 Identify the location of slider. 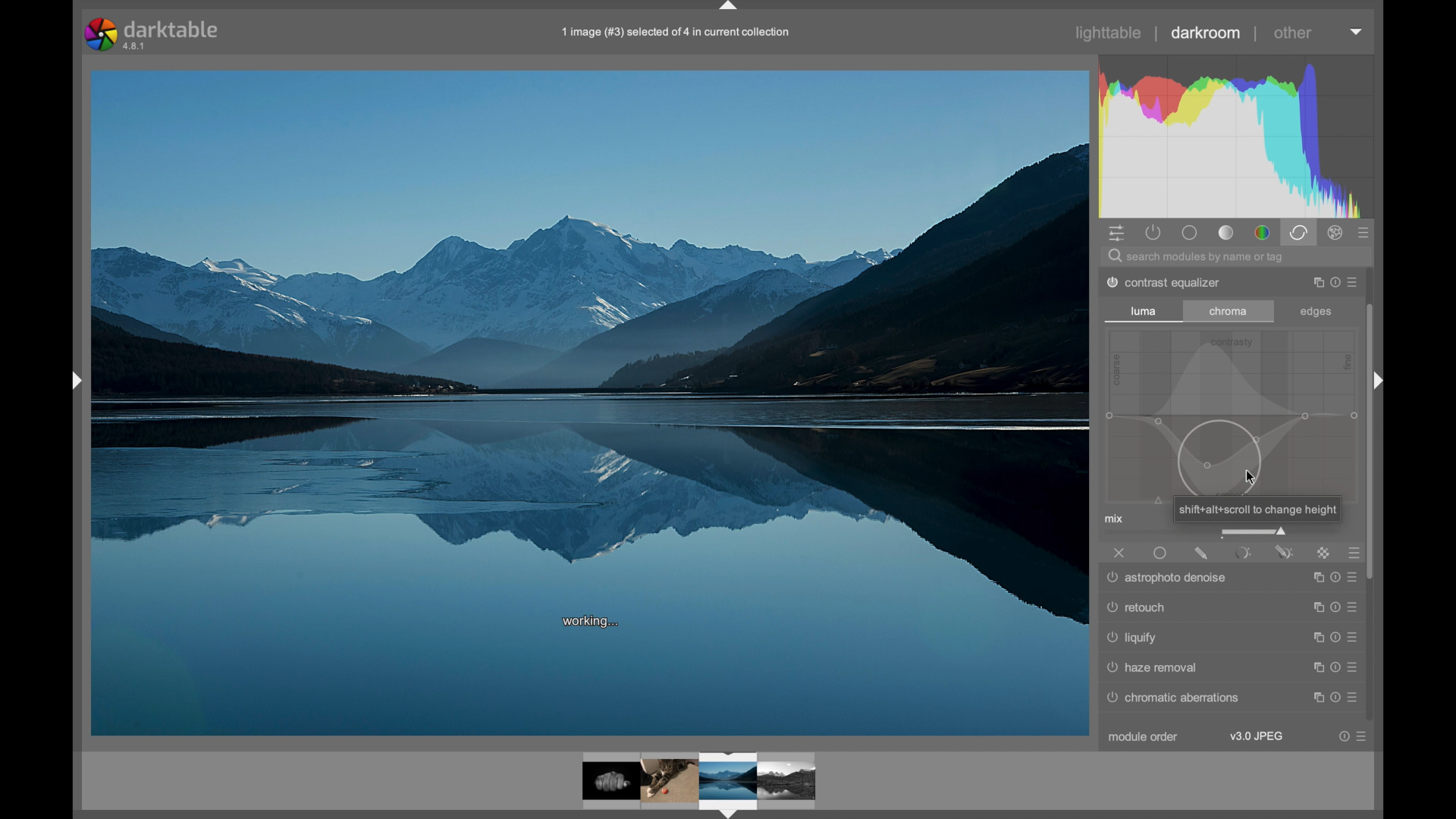
(1252, 531).